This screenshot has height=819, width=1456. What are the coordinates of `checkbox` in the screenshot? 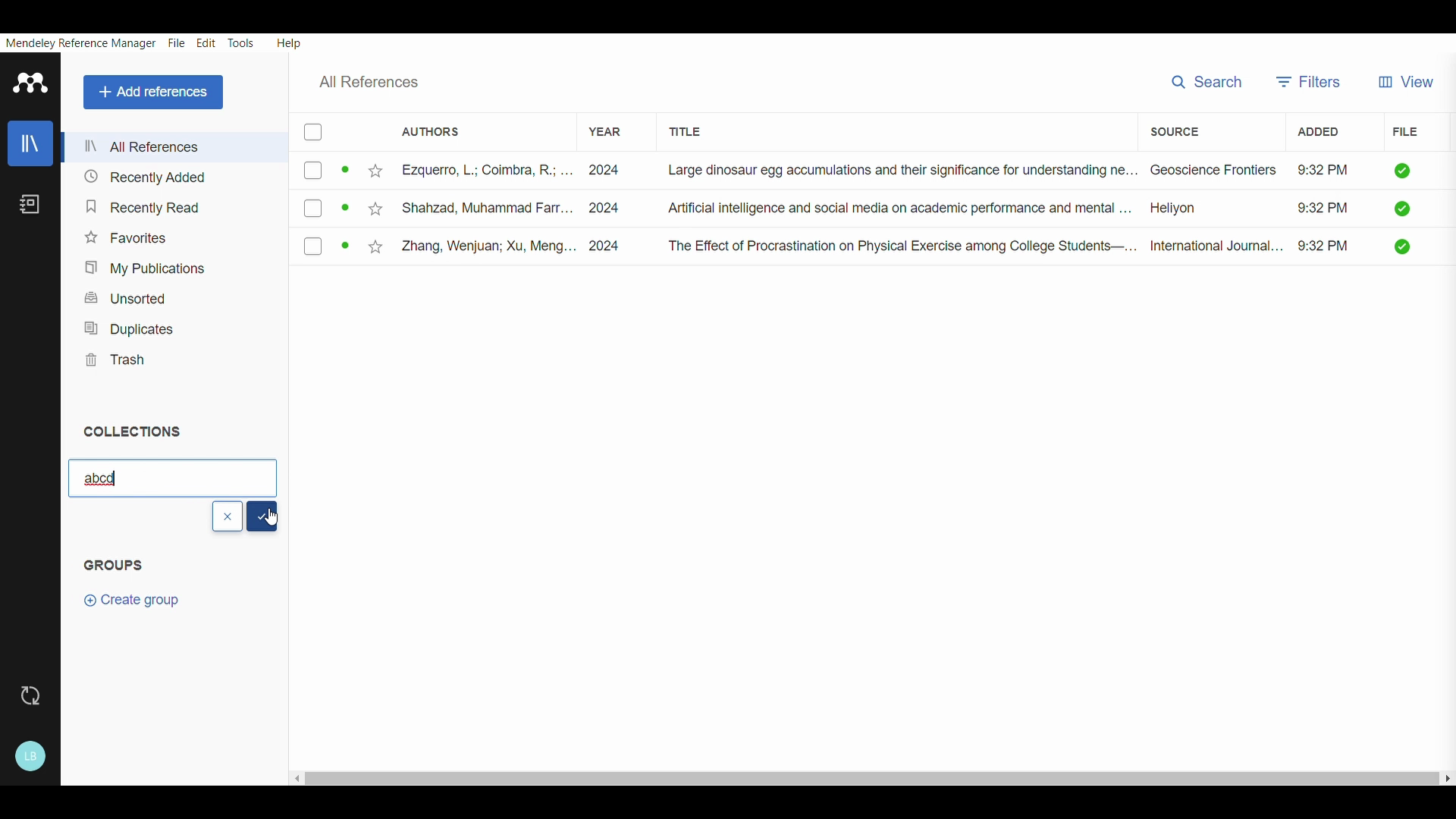 It's located at (322, 172).